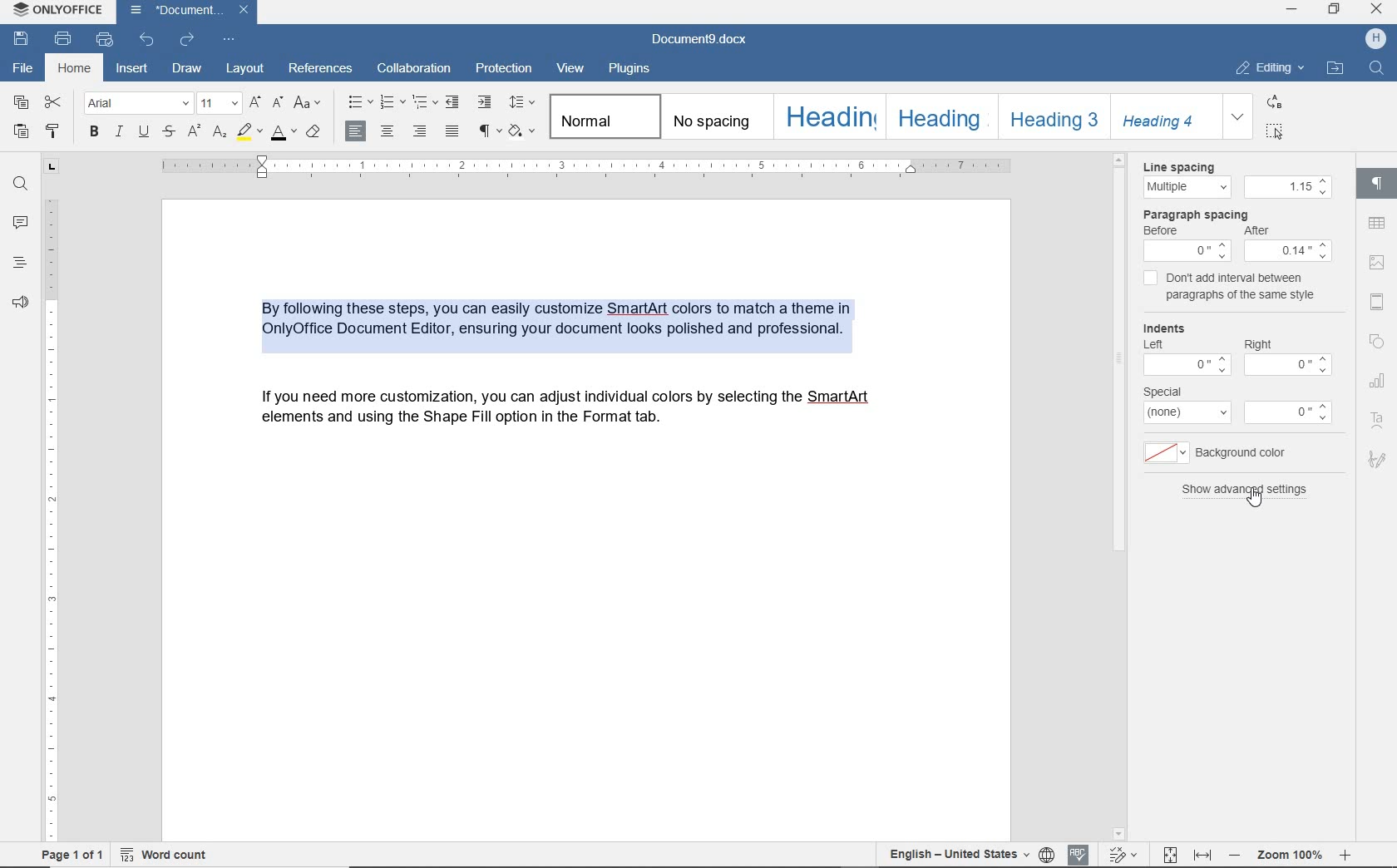  What do you see at coordinates (322, 70) in the screenshot?
I see `references` at bounding box center [322, 70].